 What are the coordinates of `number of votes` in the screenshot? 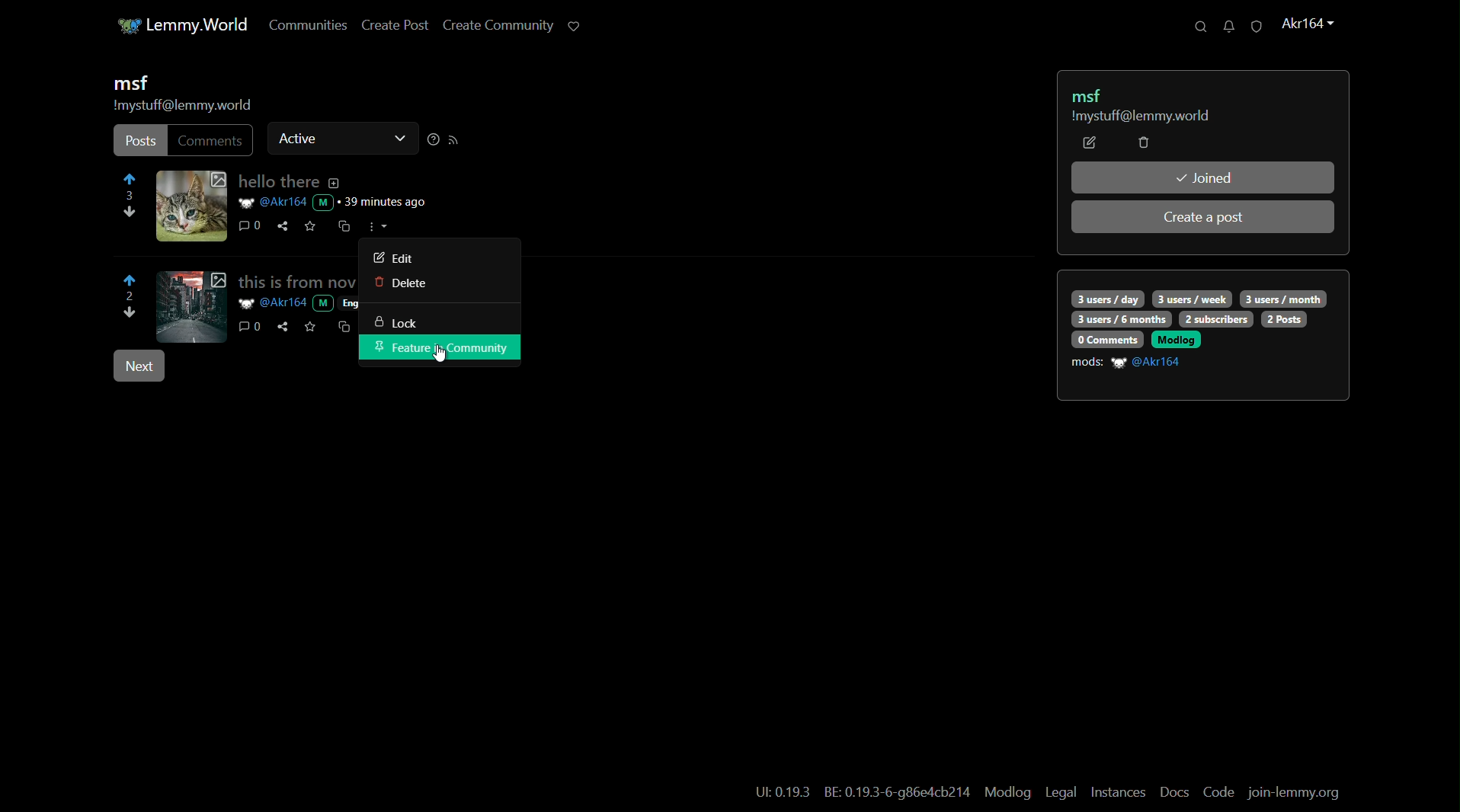 It's located at (128, 297).